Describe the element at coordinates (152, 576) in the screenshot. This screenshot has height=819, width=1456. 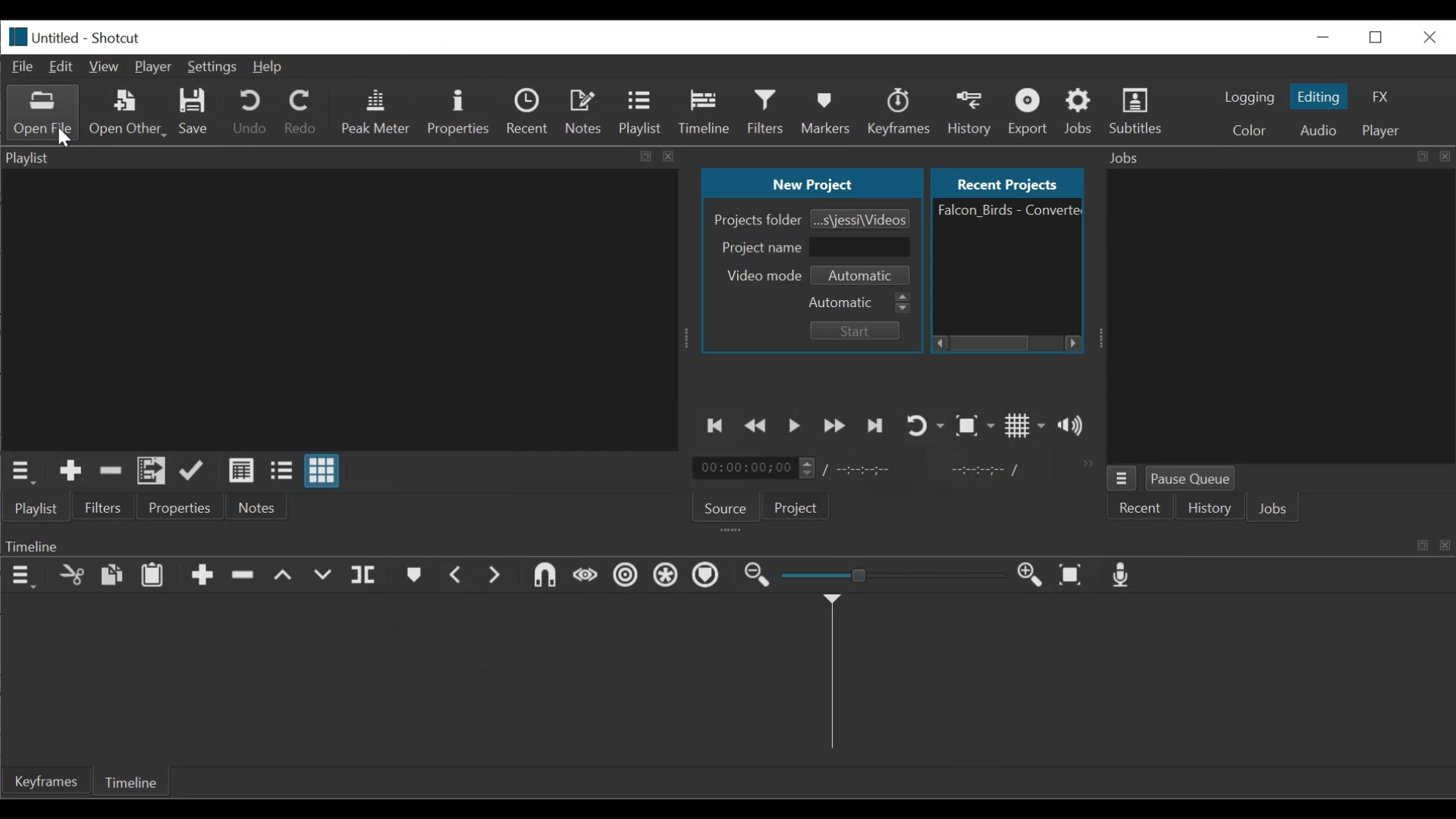
I see `Paste` at that location.